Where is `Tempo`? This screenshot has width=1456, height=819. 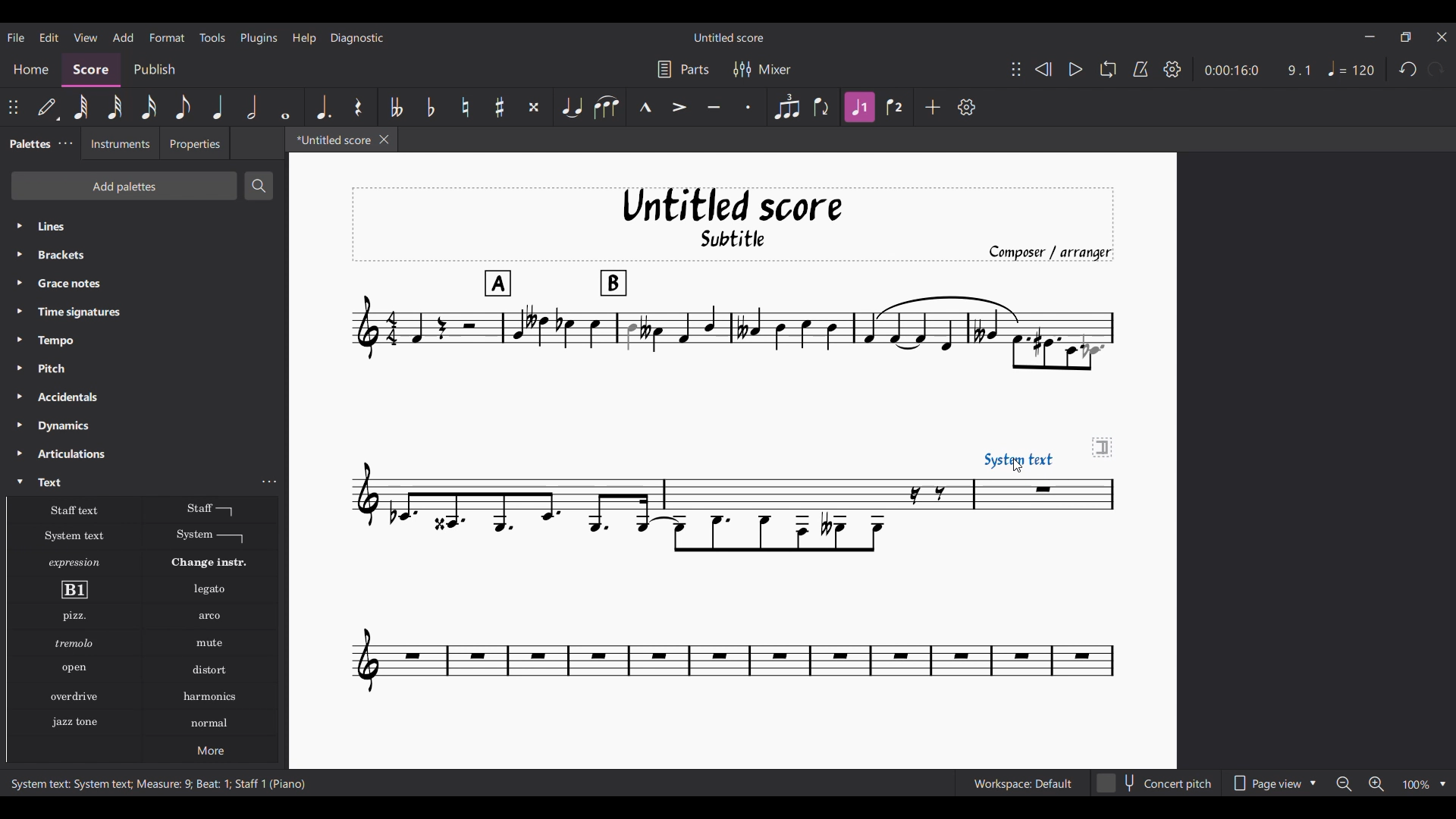 Tempo is located at coordinates (144, 340).